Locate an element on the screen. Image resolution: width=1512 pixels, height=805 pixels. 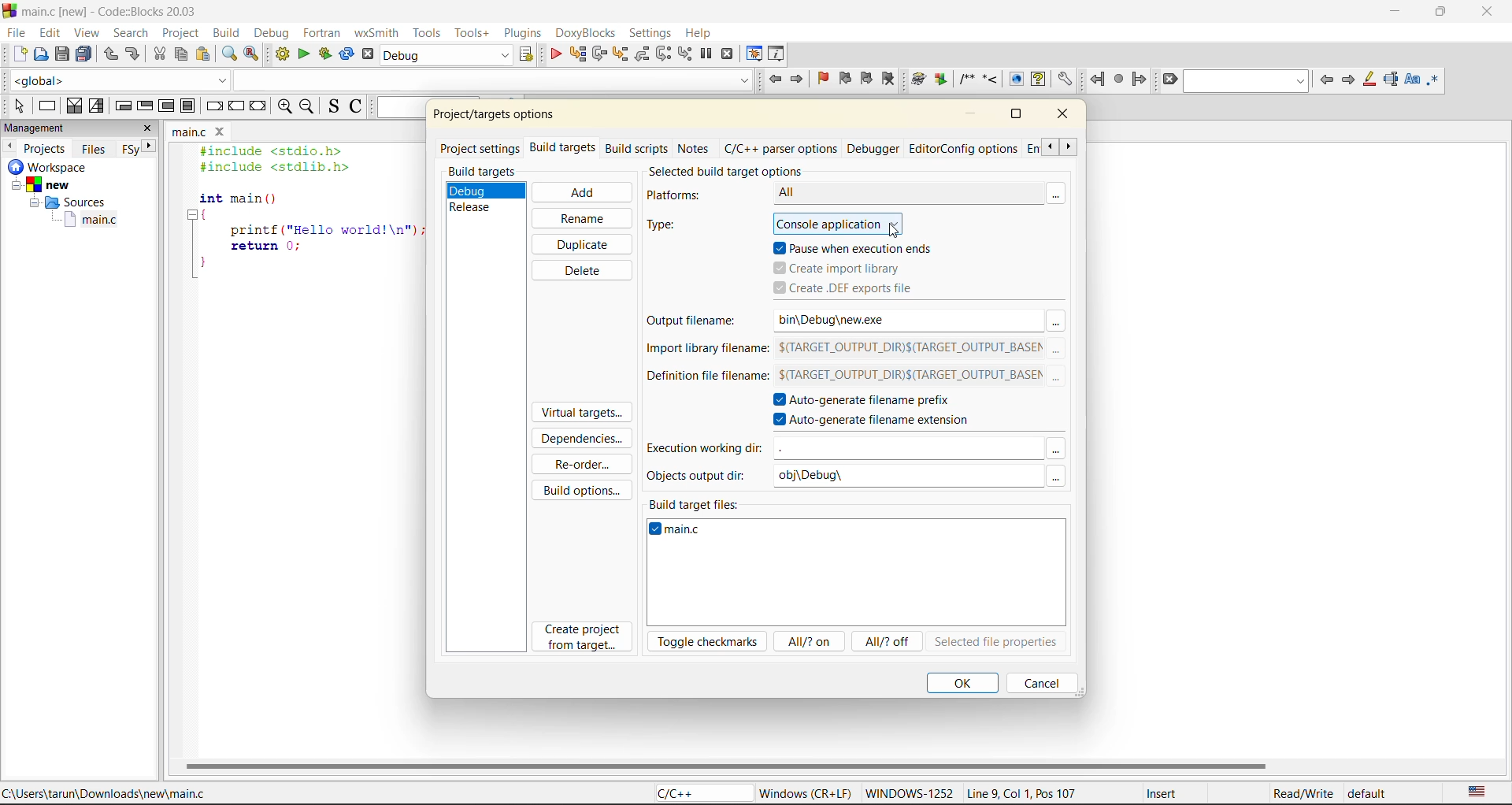
Open DoxyBlocks' preferences is located at coordinates (1064, 80).